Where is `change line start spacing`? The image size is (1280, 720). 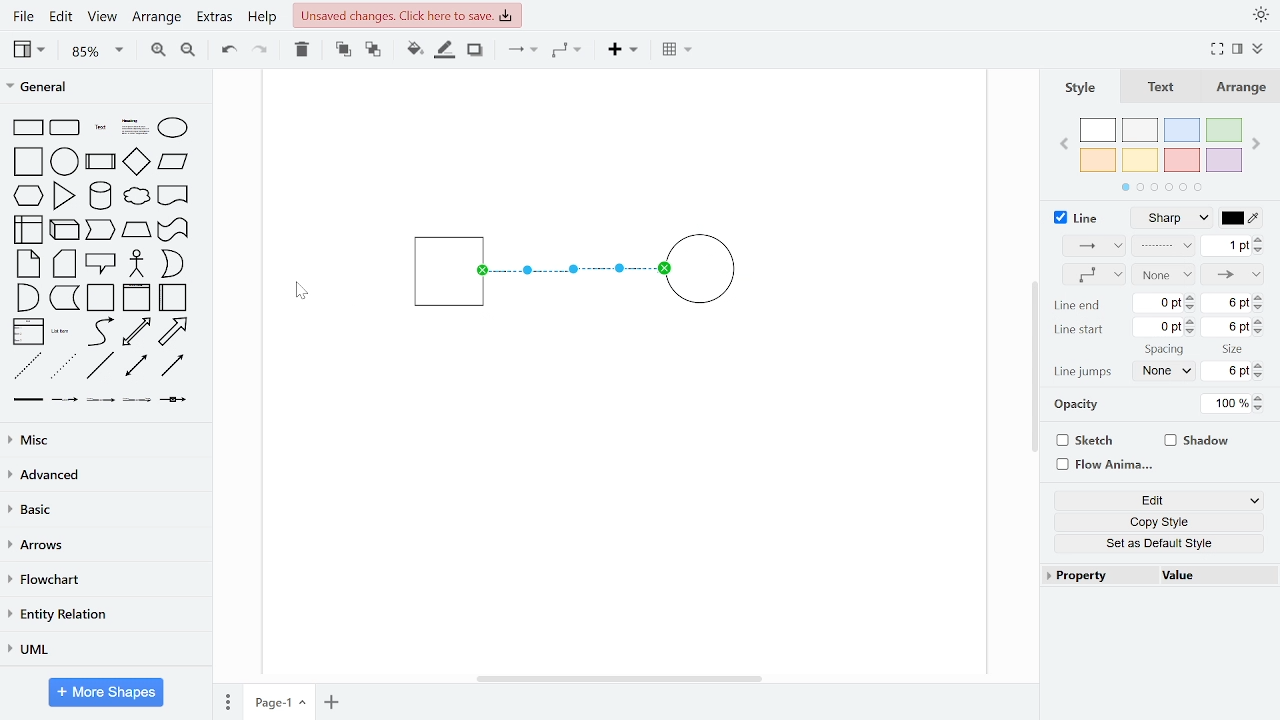 change line start spacing is located at coordinates (1166, 326).